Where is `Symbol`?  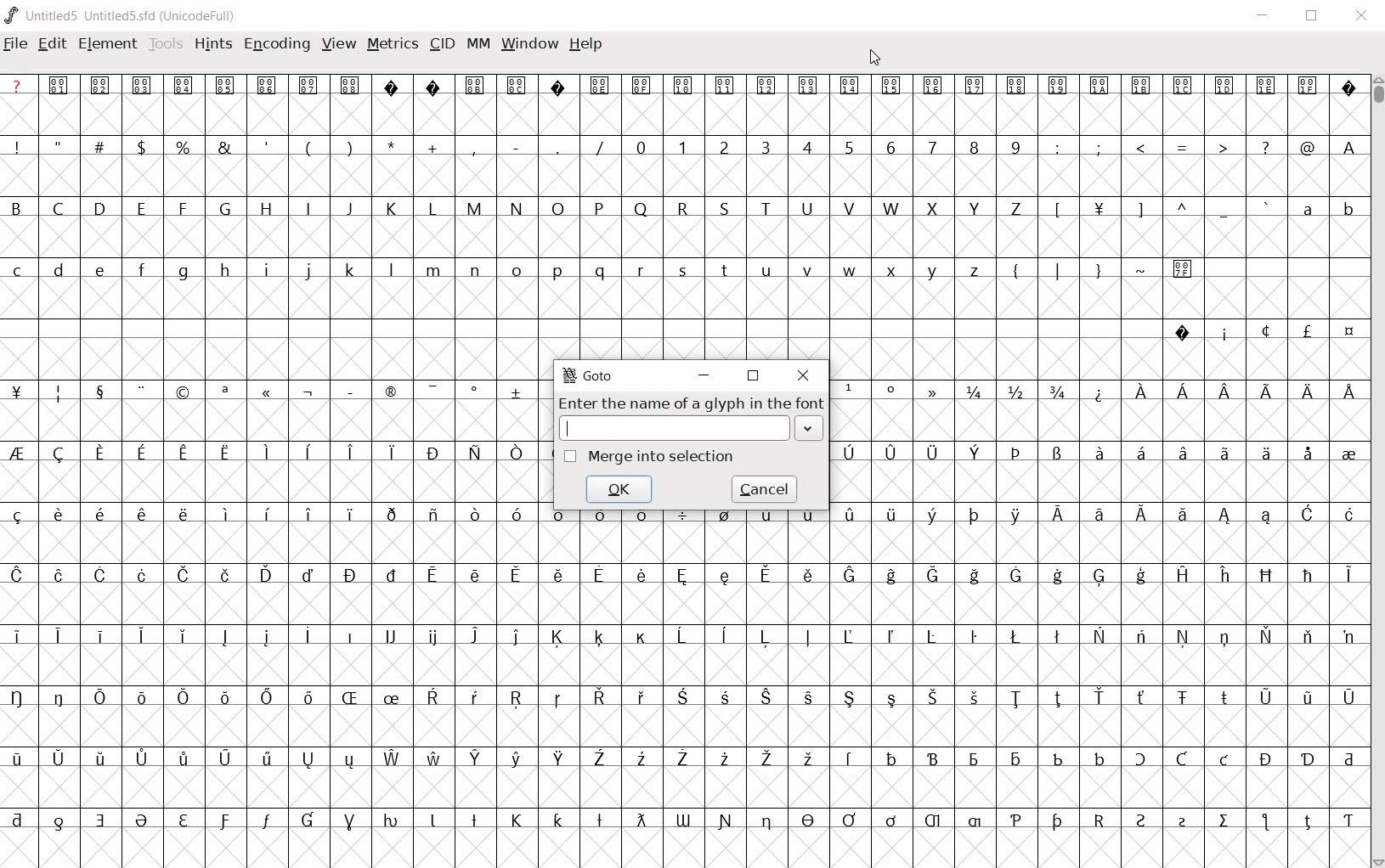 Symbol is located at coordinates (350, 759).